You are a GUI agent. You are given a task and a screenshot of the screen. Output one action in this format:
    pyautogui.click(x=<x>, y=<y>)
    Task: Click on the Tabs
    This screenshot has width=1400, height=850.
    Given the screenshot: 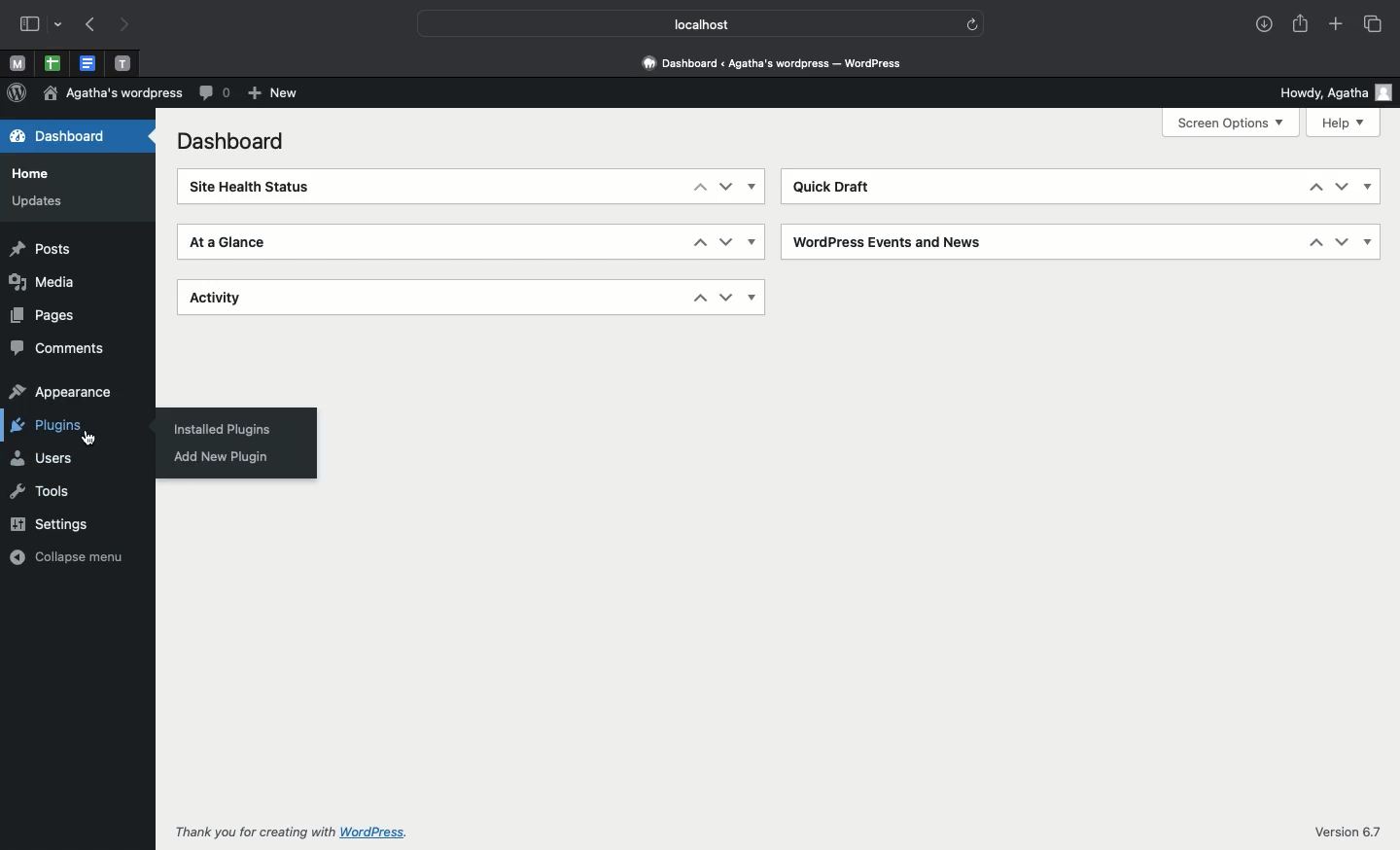 What is the action you would take?
    pyautogui.click(x=1374, y=23)
    